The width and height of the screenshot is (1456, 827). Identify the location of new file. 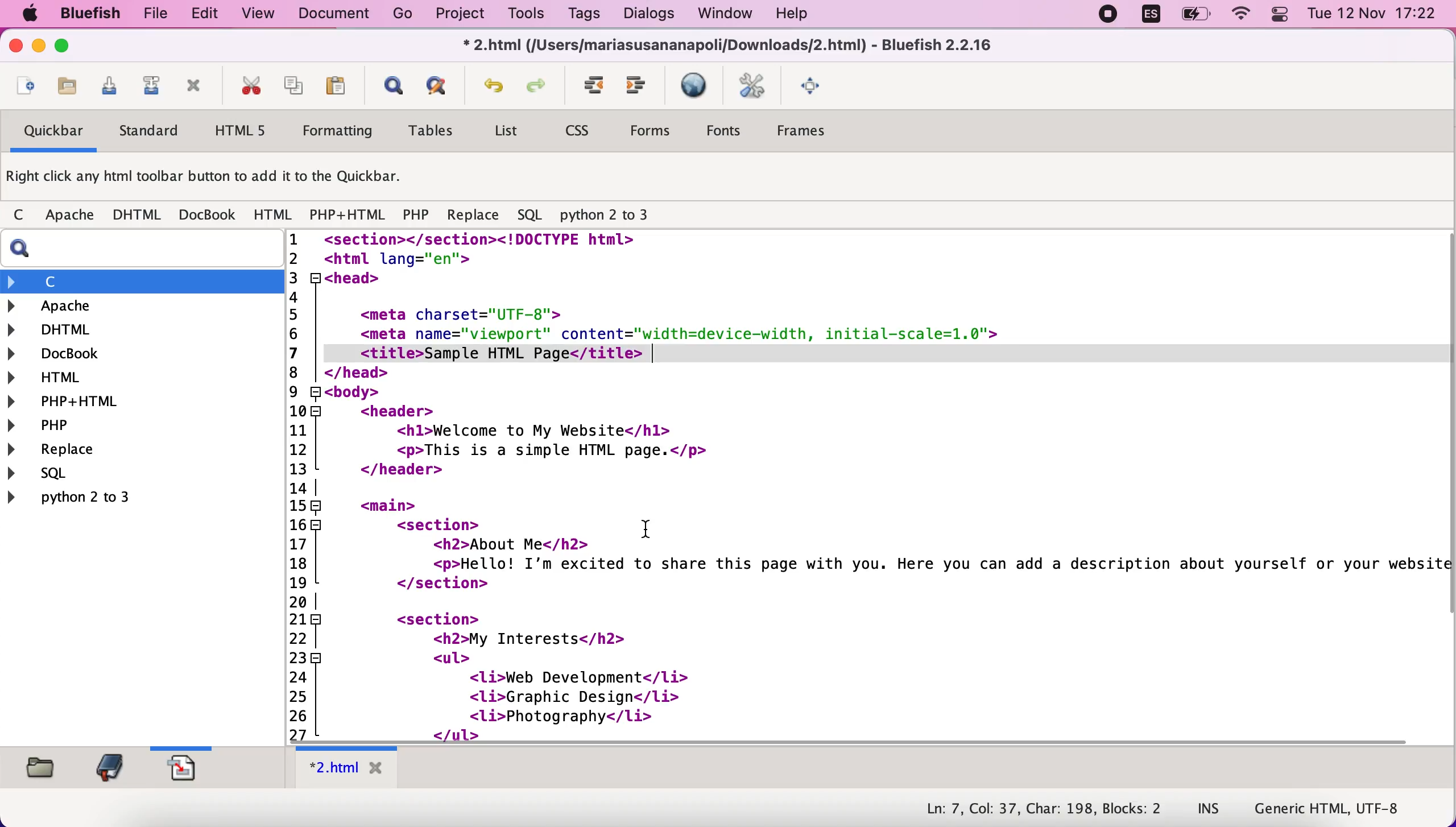
(26, 82).